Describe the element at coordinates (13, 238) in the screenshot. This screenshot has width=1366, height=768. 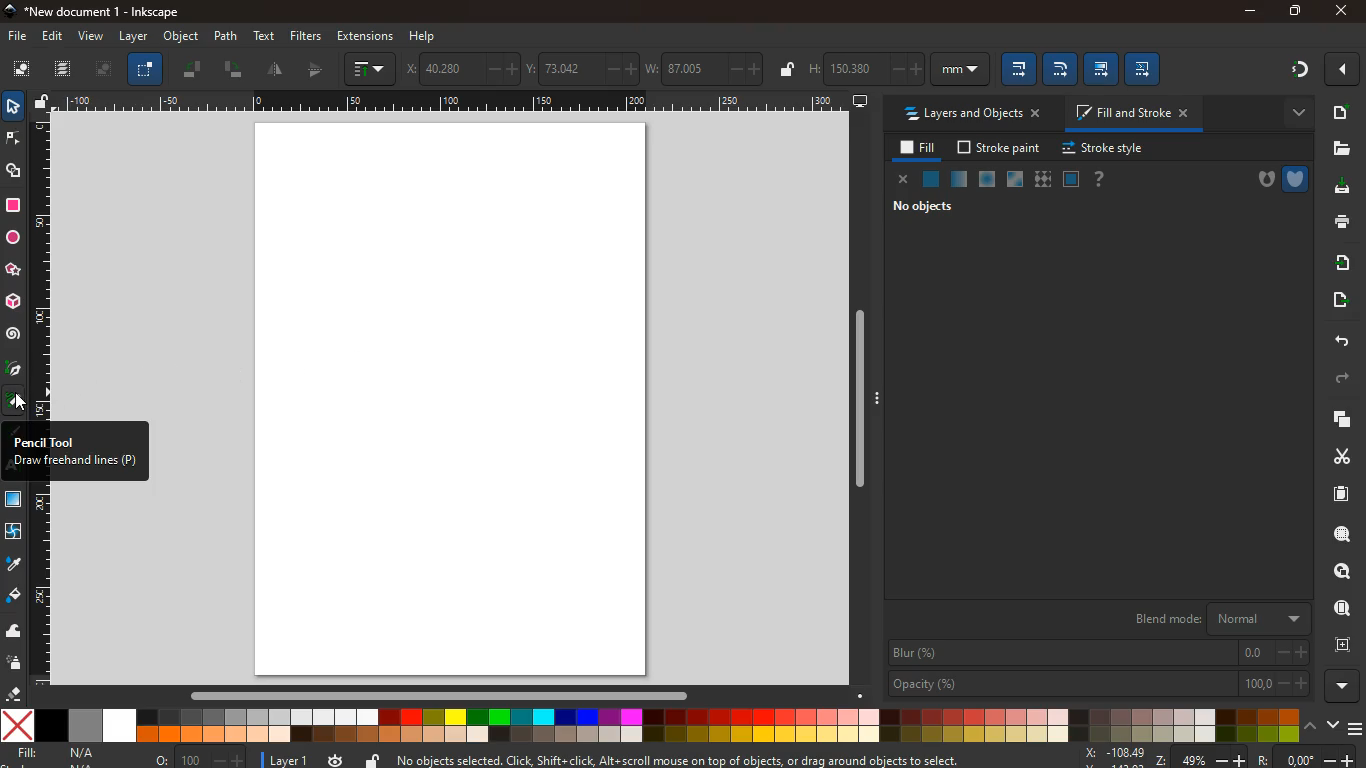
I see `circle` at that location.